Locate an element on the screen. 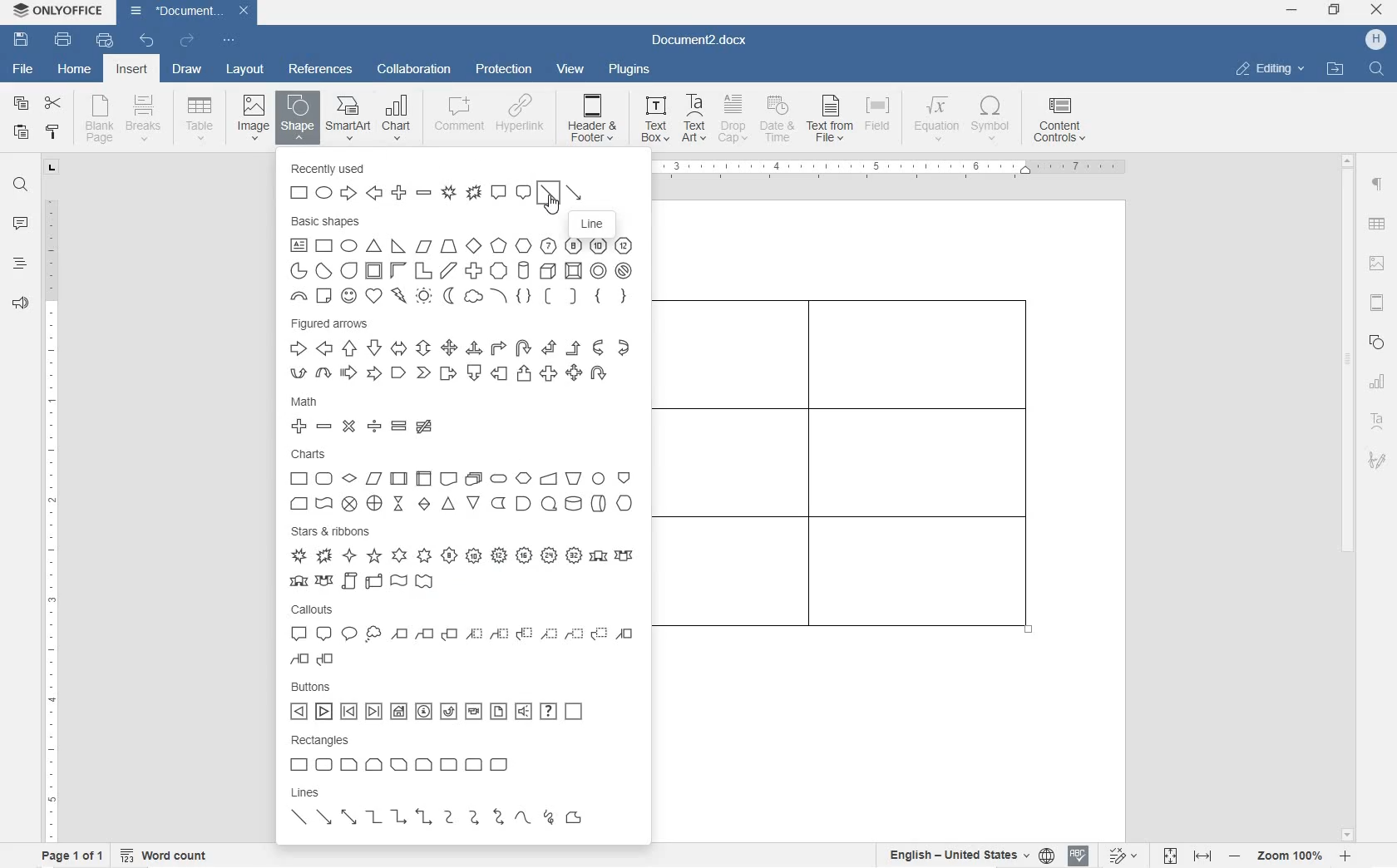 Image resolution: width=1397 pixels, height=868 pixels. quick print is located at coordinates (105, 40).